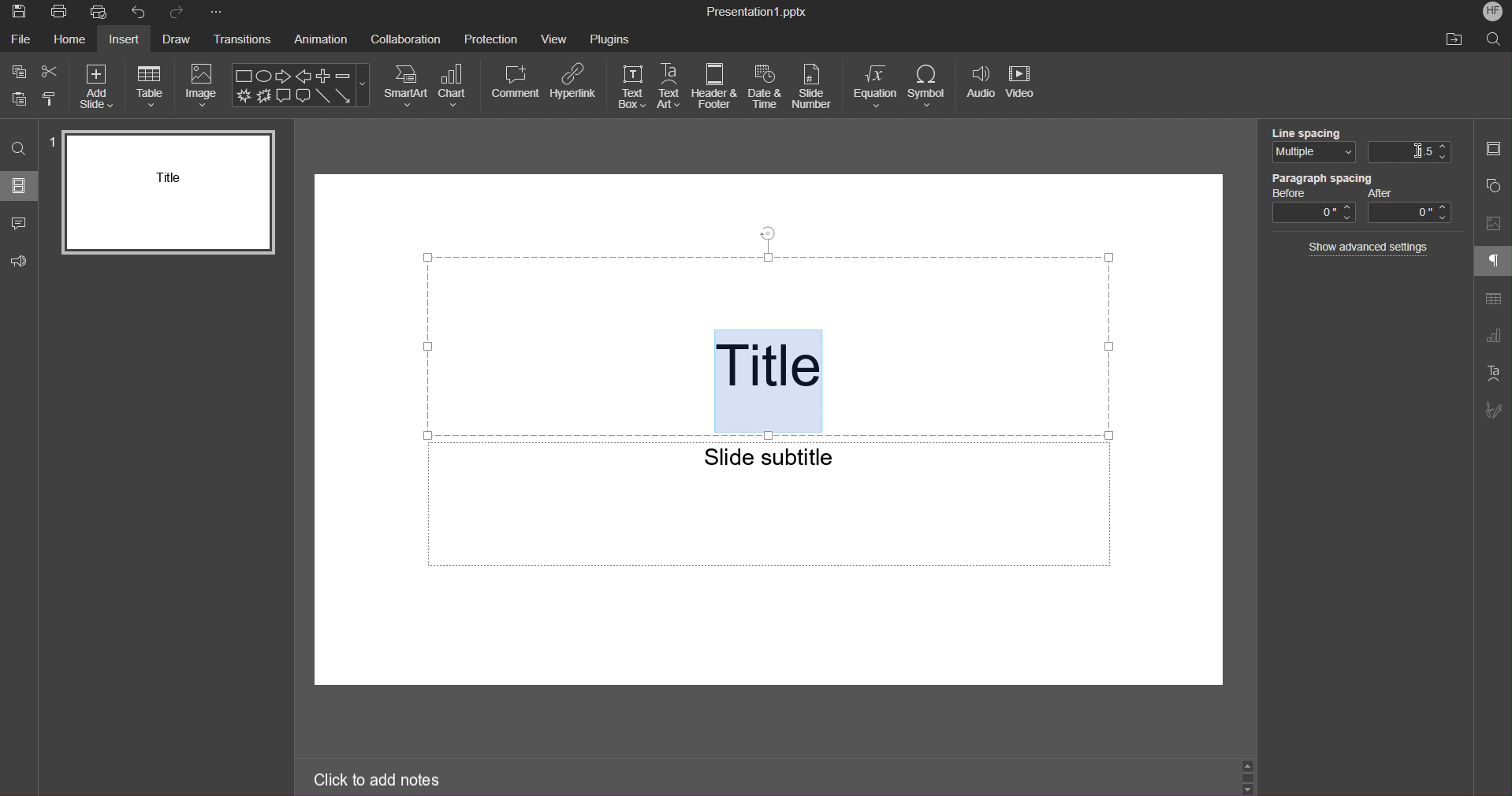 The height and width of the screenshot is (796, 1512). What do you see at coordinates (122, 40) in the screenshot?
I see `Insert` at bounding box center [122, 40].